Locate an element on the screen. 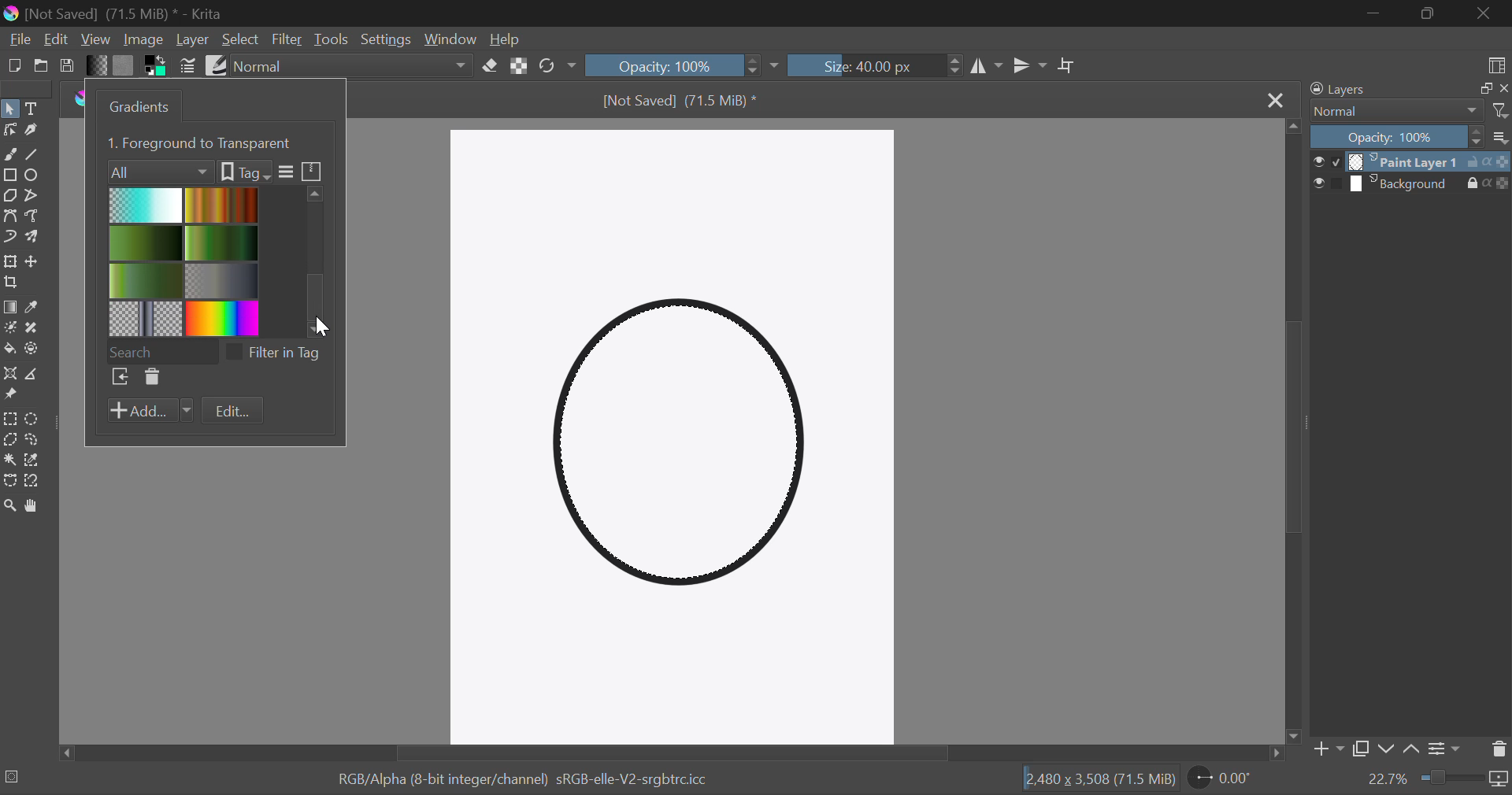 The height and width of the screenshot is (795, 1512). Eraser is located at coordinates (490, 66).